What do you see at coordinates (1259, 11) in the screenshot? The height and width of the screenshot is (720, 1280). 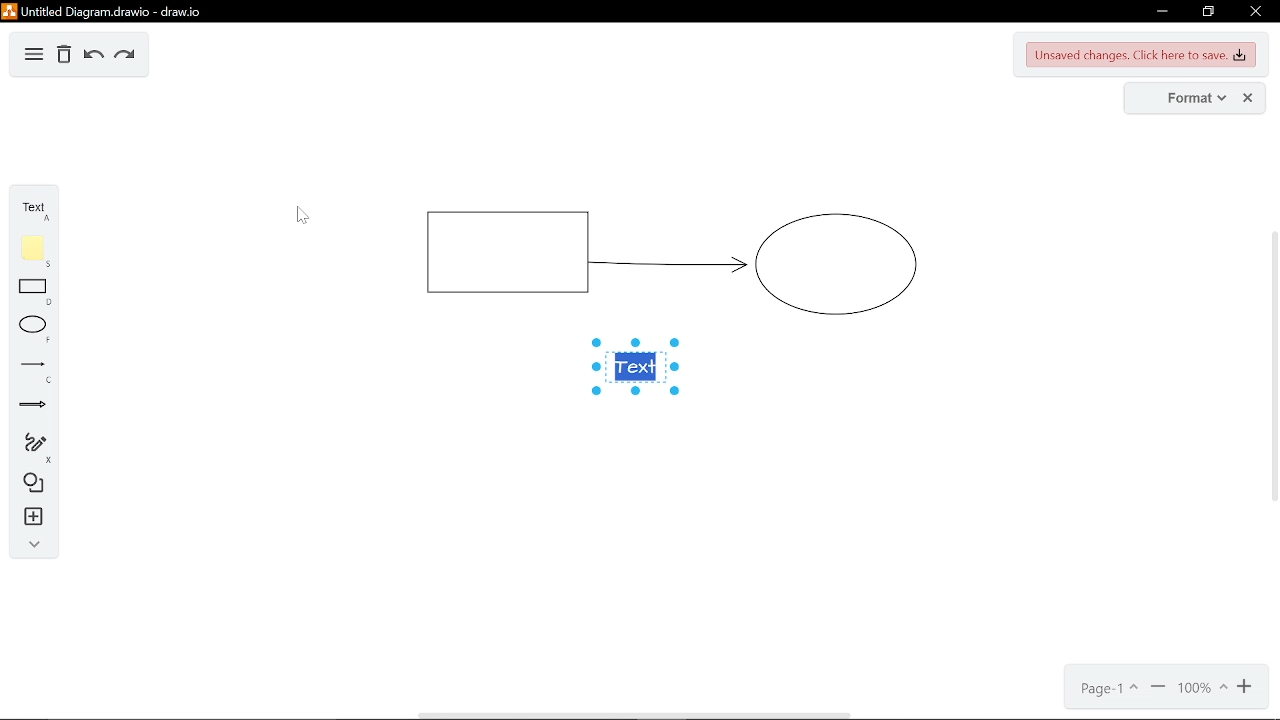 I see `close` at bounding box center [1259, 11].